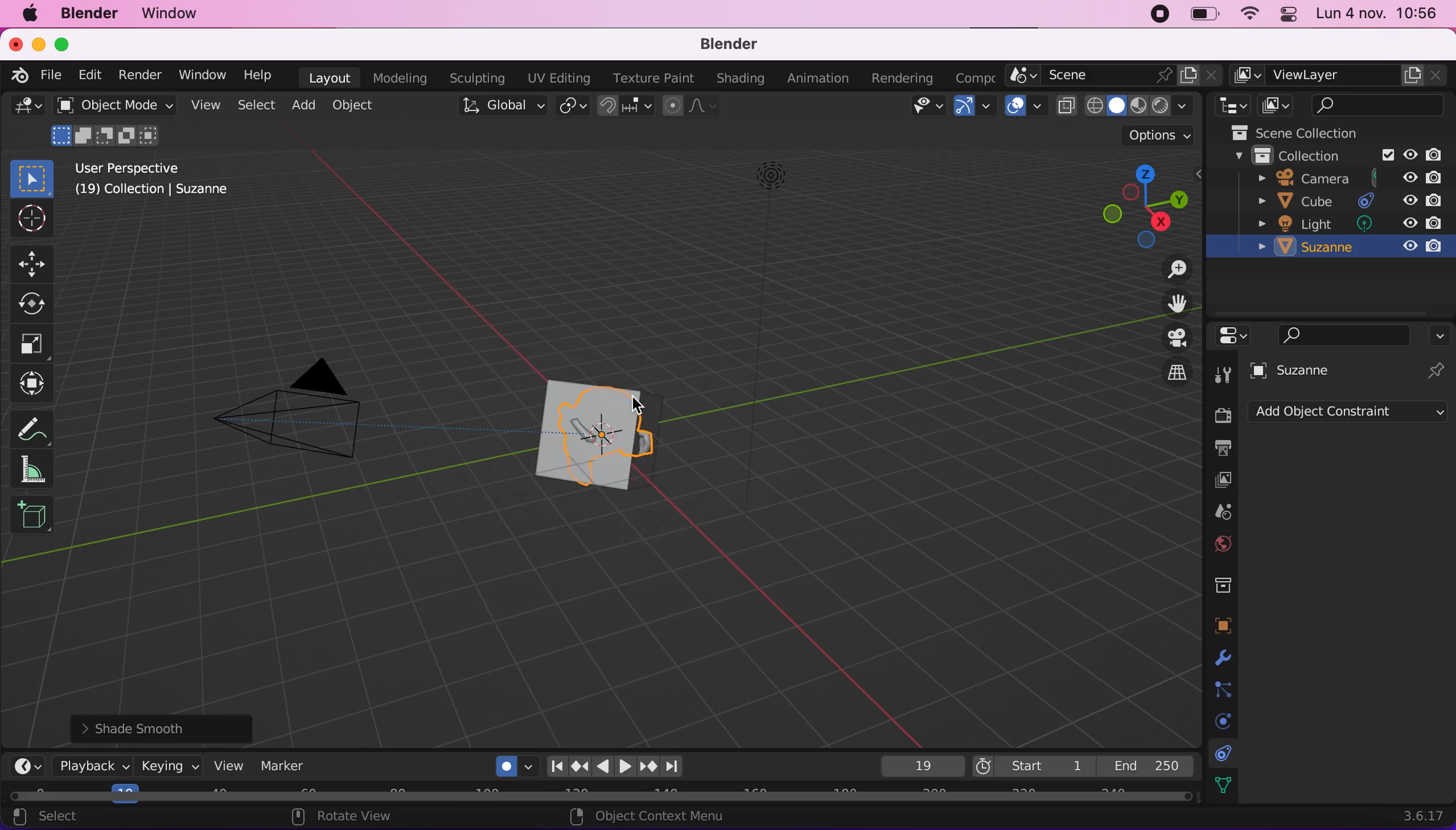 This screenshot has height=830, width=1456. Describe the element at coordinates (818, 78) in the screenshot. I see `animation` at that location.